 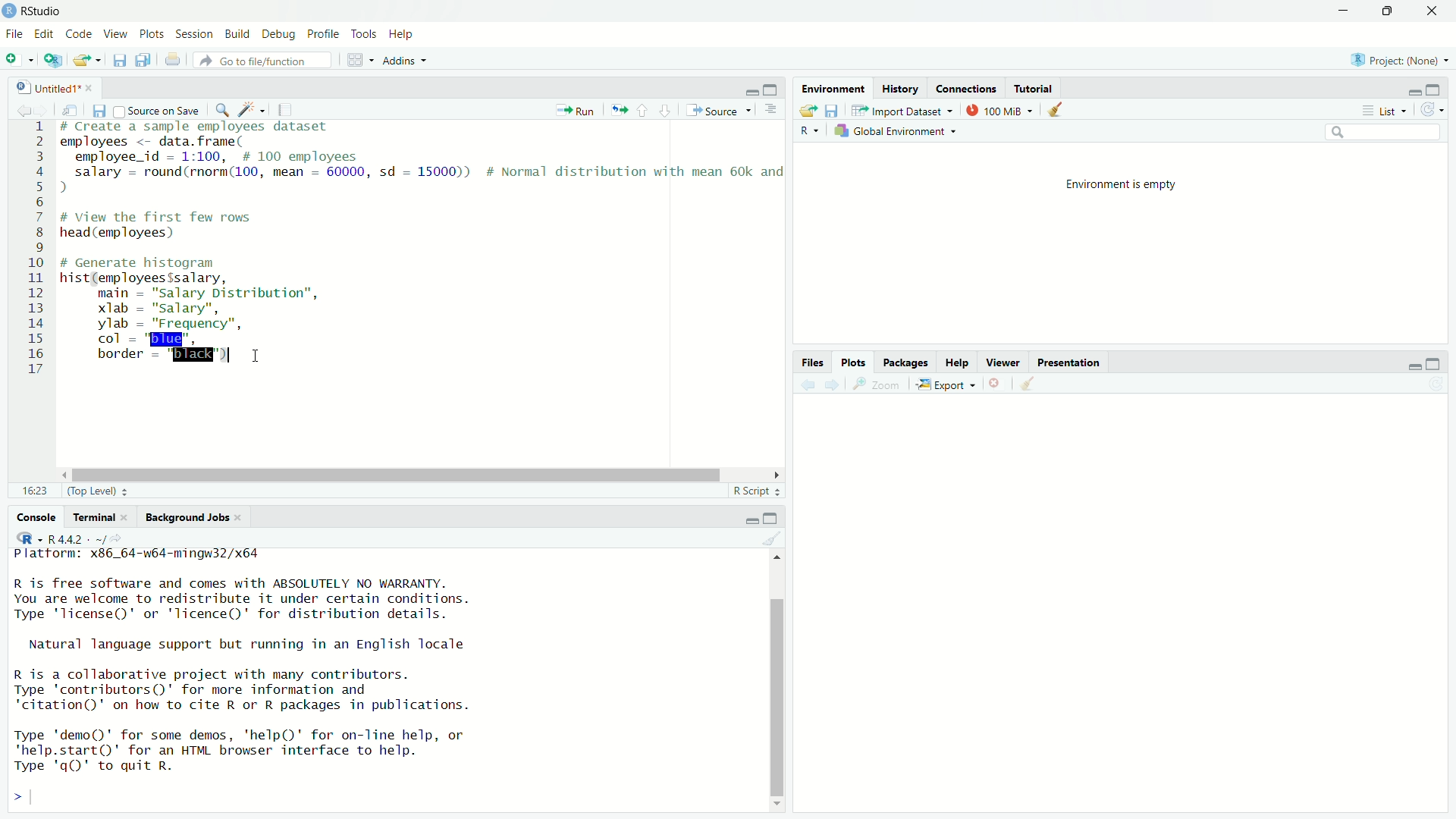 I want to click on Build, so click(x=239, y=34).